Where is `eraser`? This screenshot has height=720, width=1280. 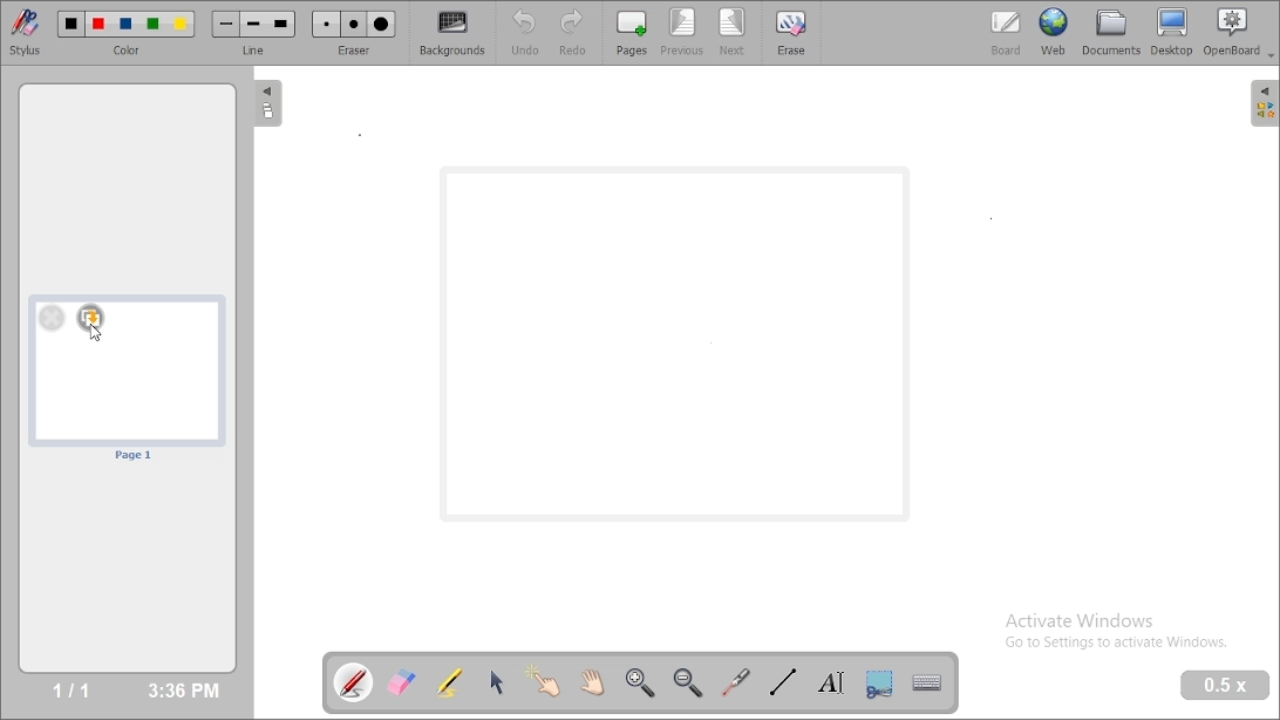 eraser is located at coordinates (354, 50).